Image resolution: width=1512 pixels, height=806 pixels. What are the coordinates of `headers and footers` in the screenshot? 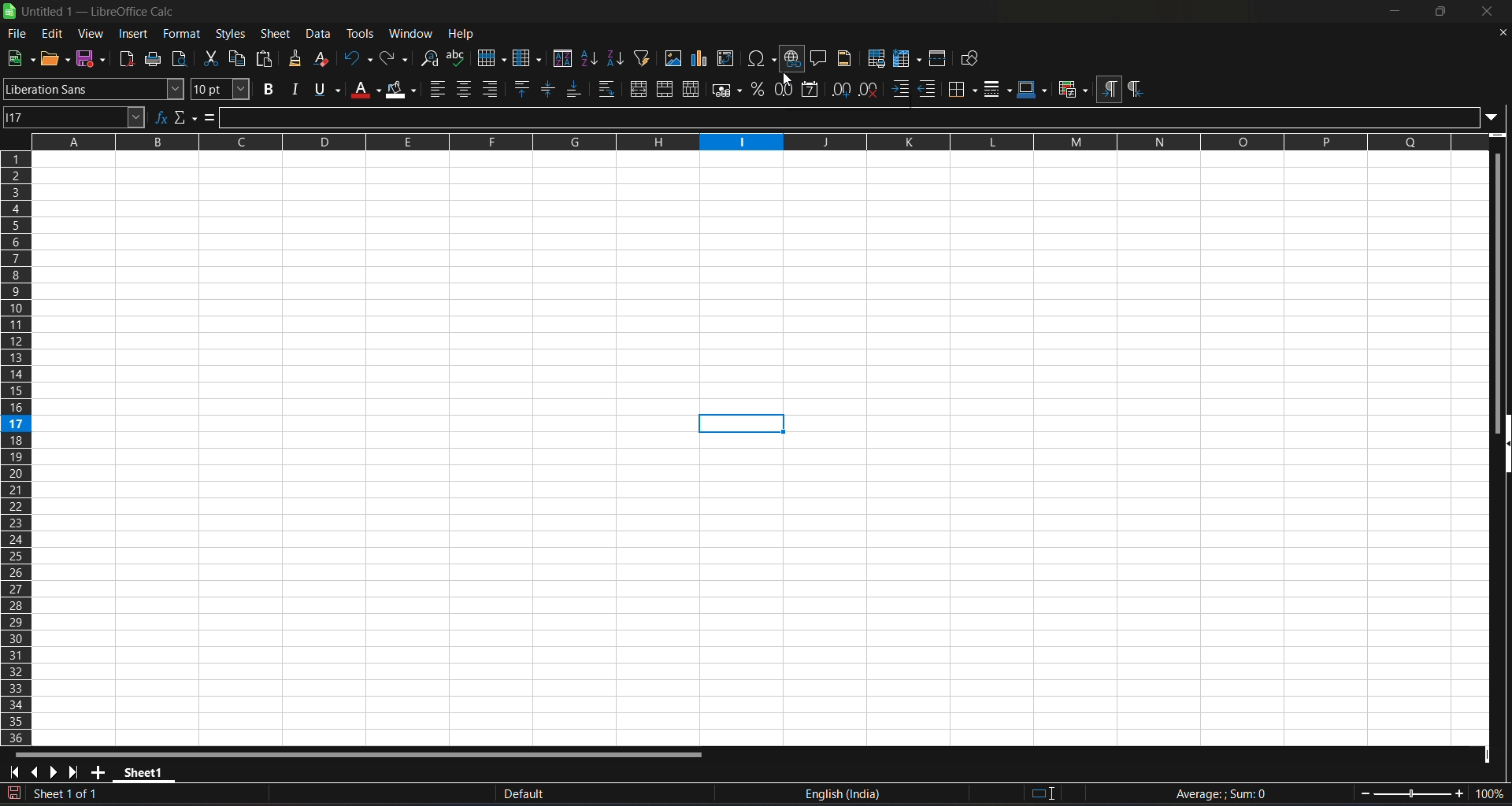 It's located at (847, 58).